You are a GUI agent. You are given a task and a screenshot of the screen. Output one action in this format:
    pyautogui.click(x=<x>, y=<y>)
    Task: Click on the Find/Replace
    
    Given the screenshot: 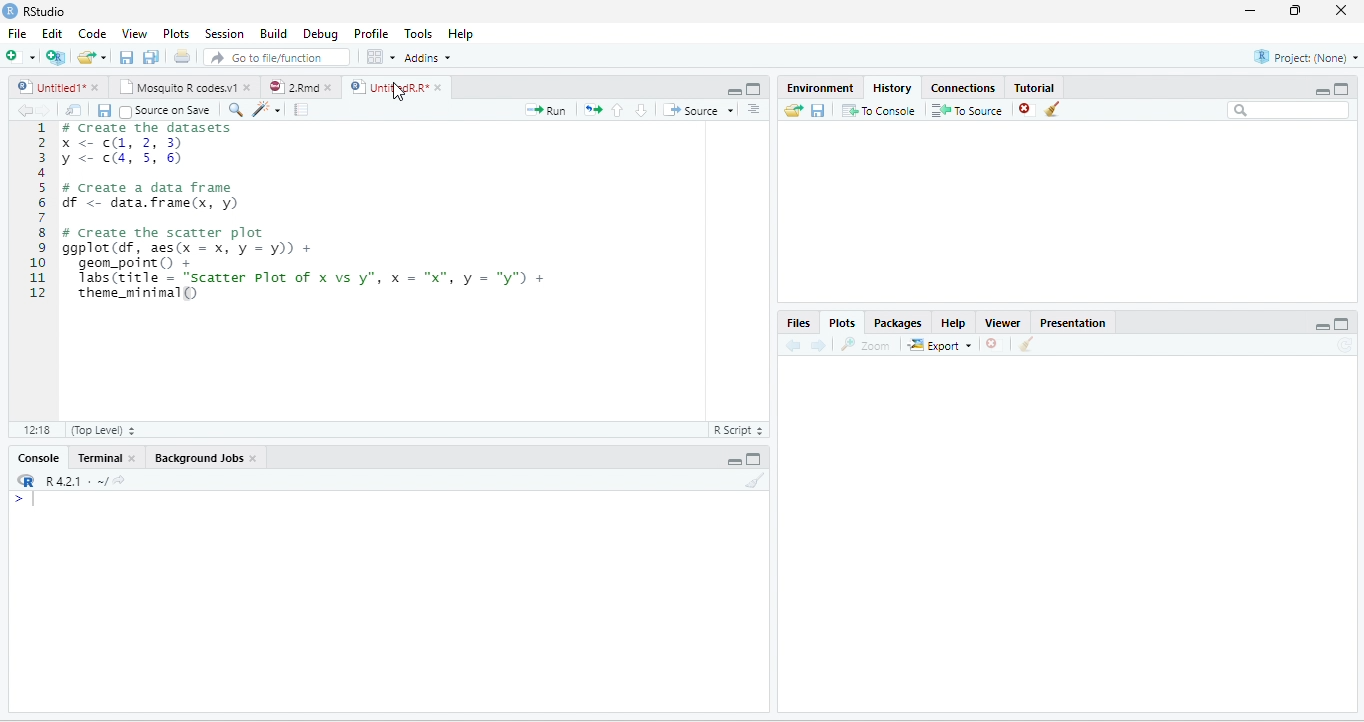 What is the action you would take?
    pyautogui.click(x=237, y=111)
    